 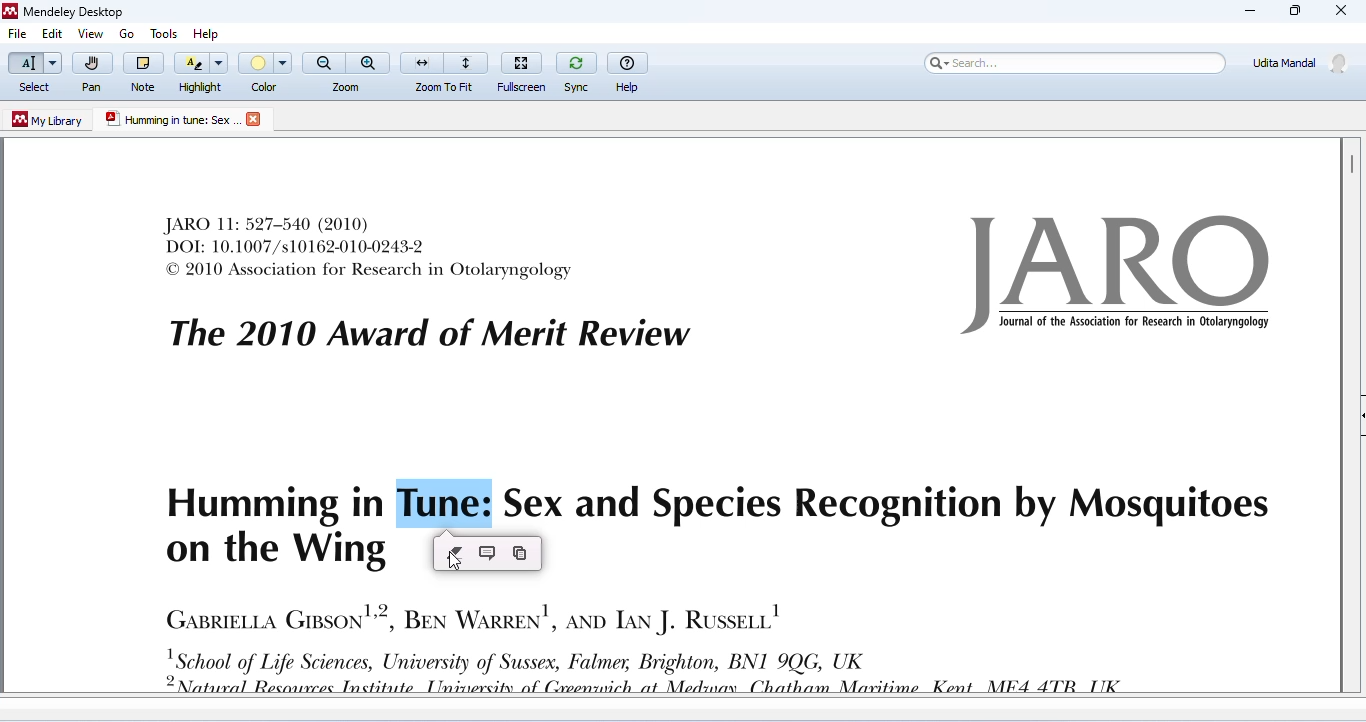 I want to click on vertical scroll bar, so click(x=1350, y=163).